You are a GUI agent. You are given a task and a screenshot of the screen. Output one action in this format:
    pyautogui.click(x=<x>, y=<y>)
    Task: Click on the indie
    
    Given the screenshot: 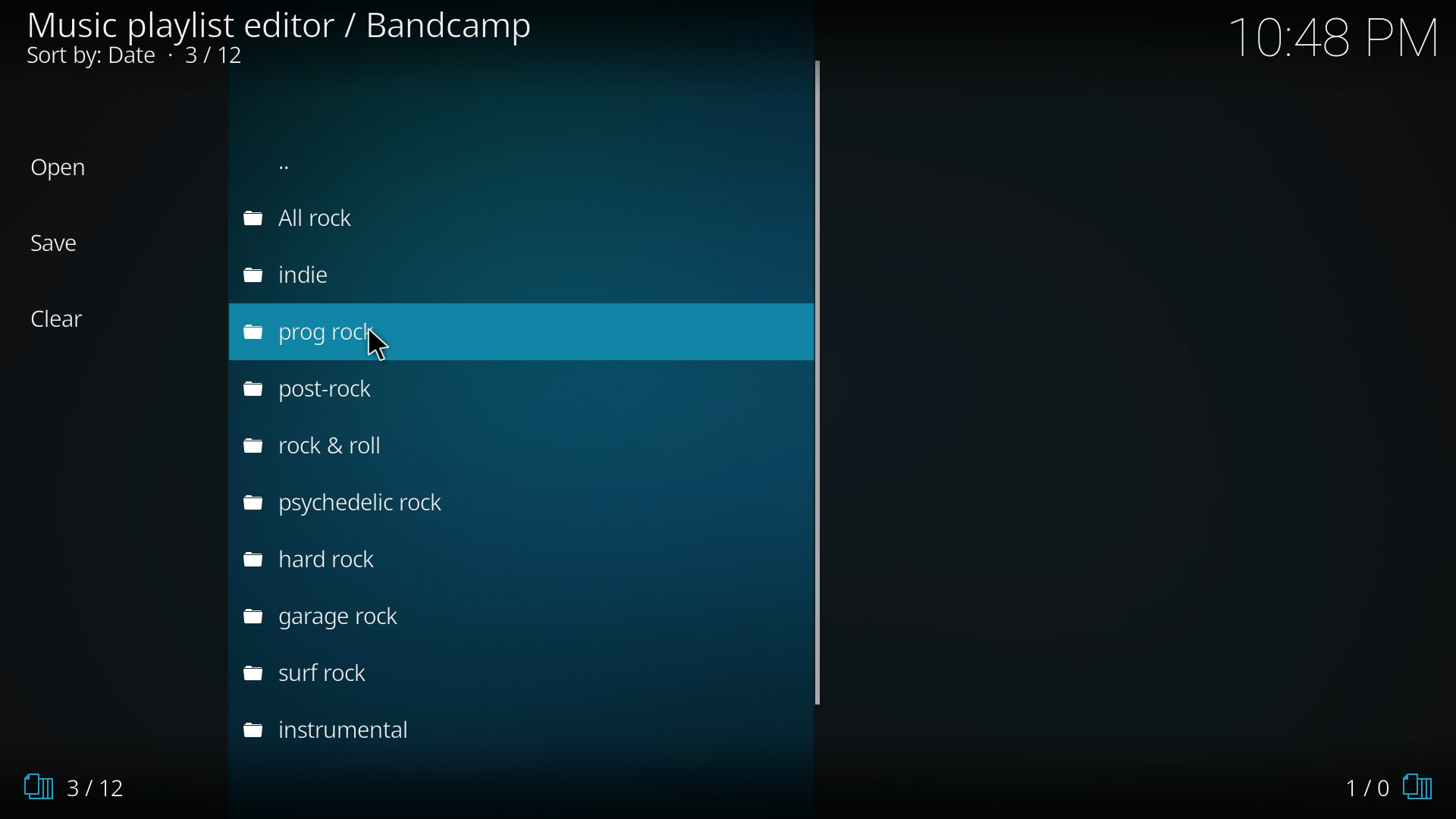 What is the action you would take?
    pyautogui.click(x=324, y=275)
    